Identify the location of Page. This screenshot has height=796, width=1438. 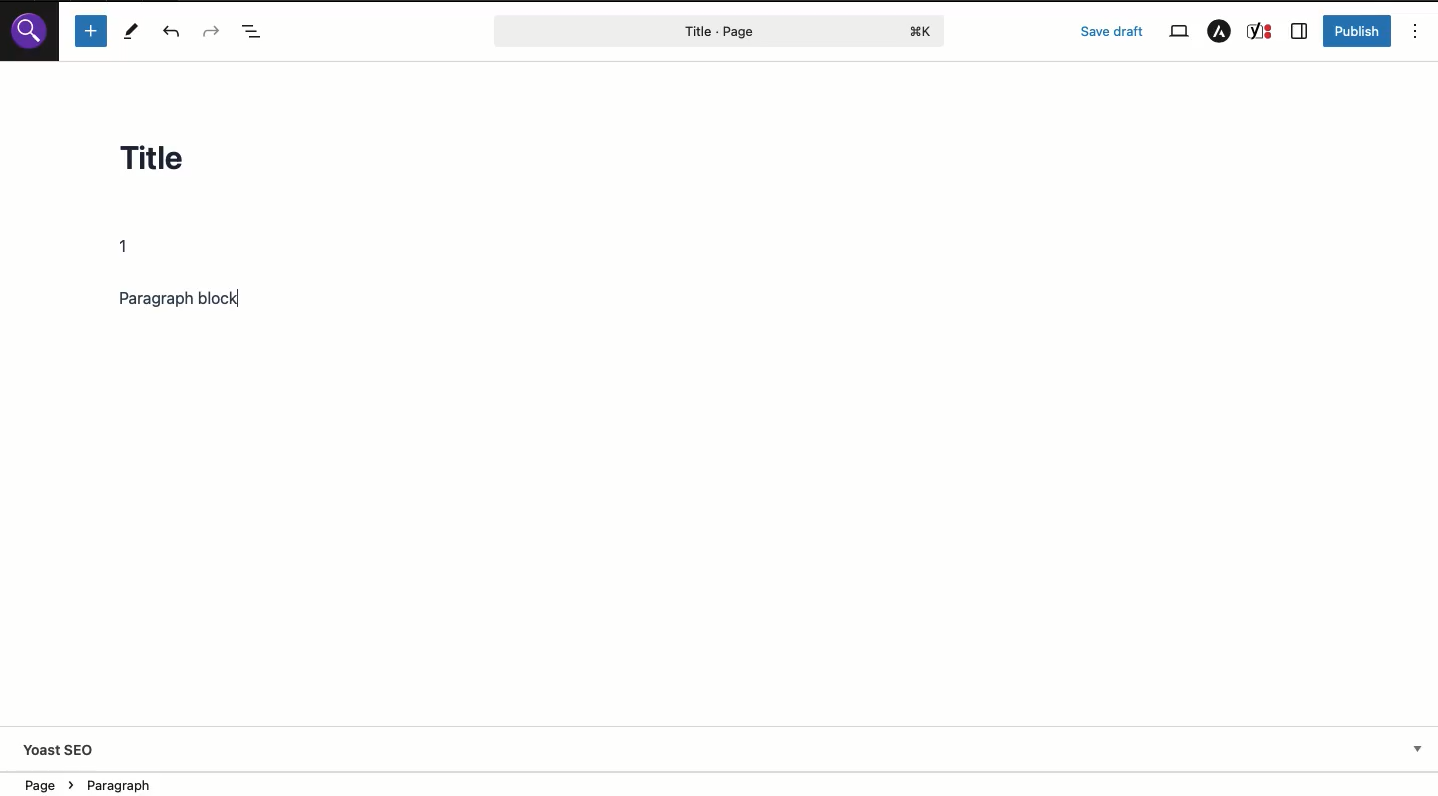
(678, 31).